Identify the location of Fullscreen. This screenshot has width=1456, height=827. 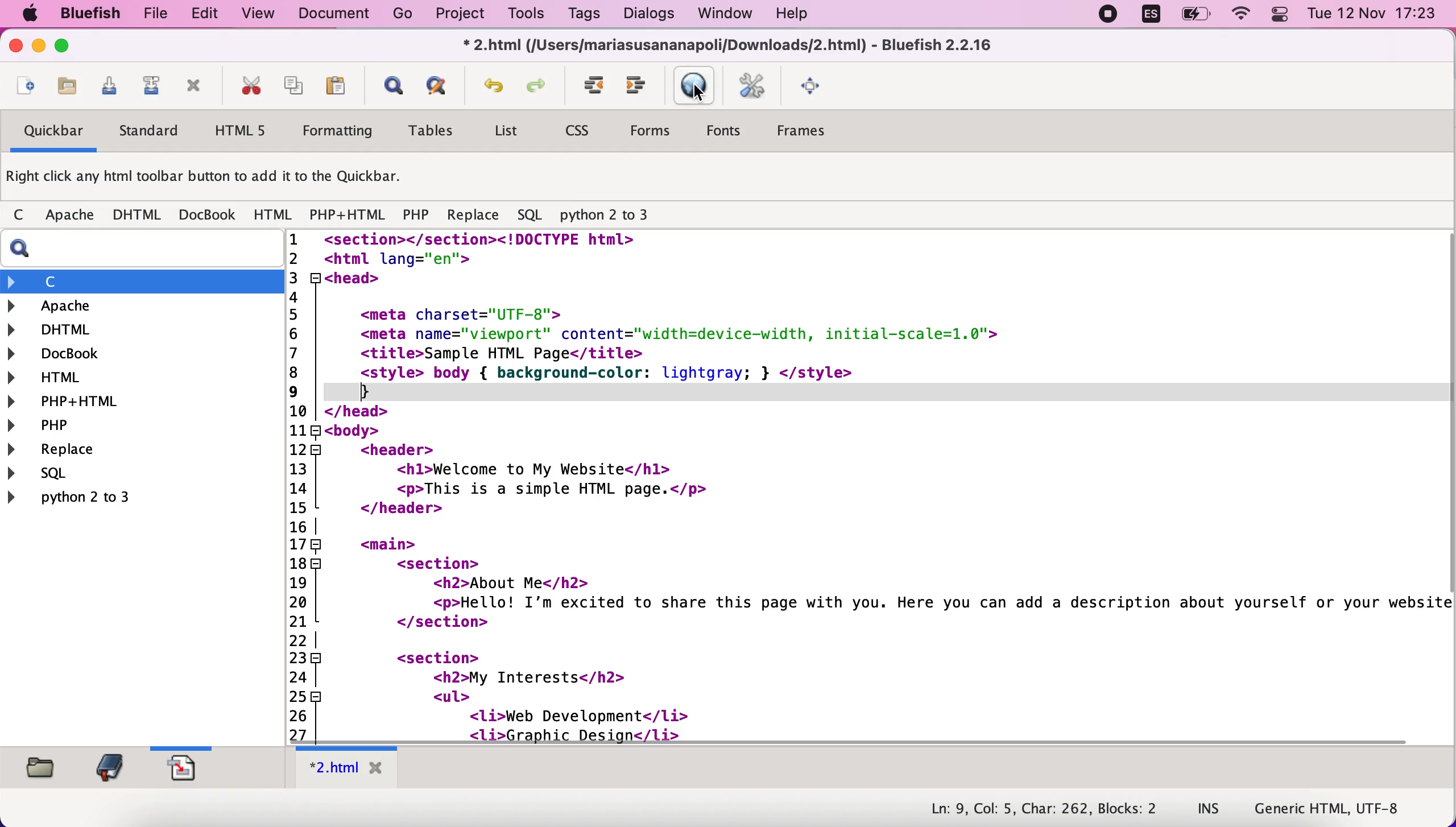
(817, 87).